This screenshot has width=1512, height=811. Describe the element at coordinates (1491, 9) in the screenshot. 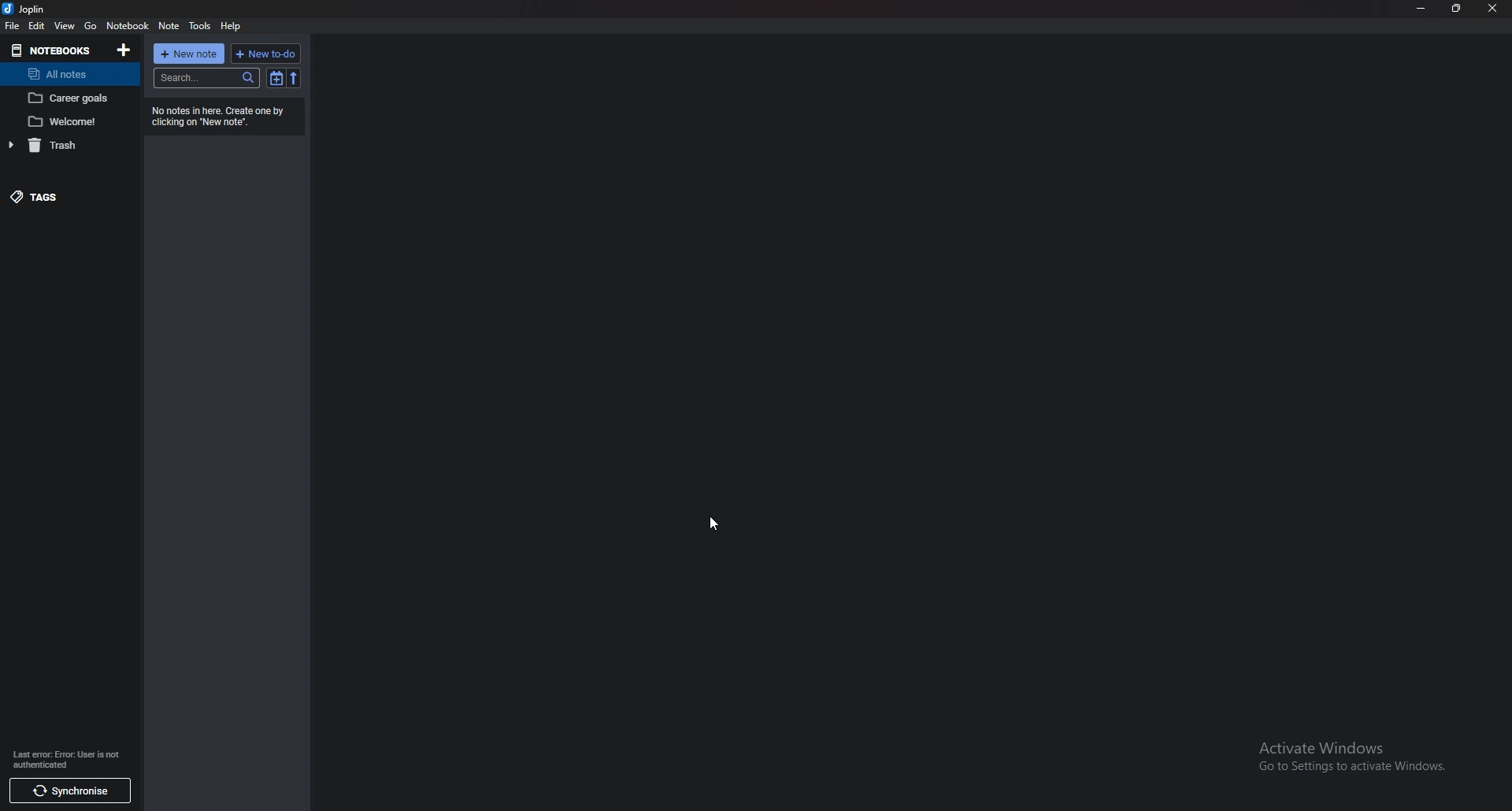

I see `close` at that location.